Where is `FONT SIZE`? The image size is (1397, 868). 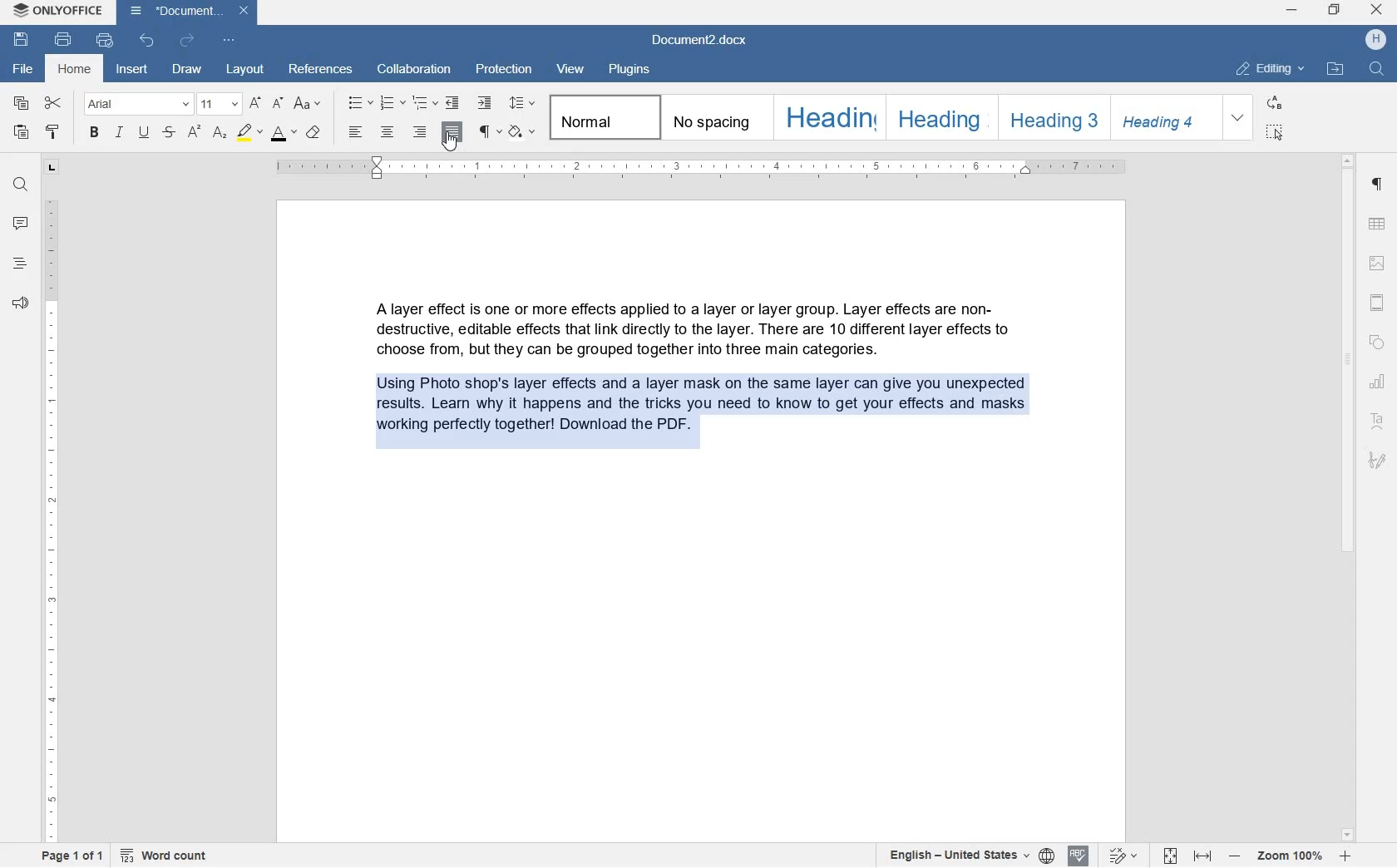 FONT SIZE is located at coordinates (285, 135).